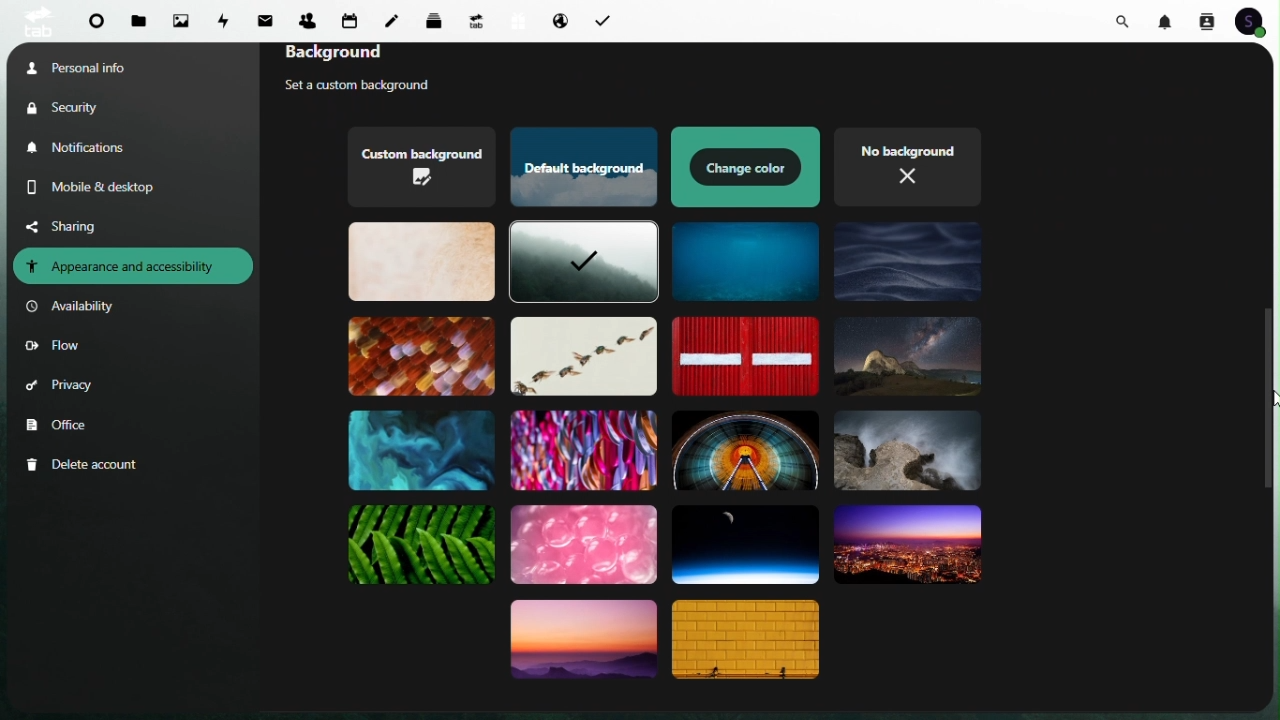 This screenshot has width=1280, height=720. Describe the element at coordinates (77, 225) in the screenshot. I see `Sharing` at that location.